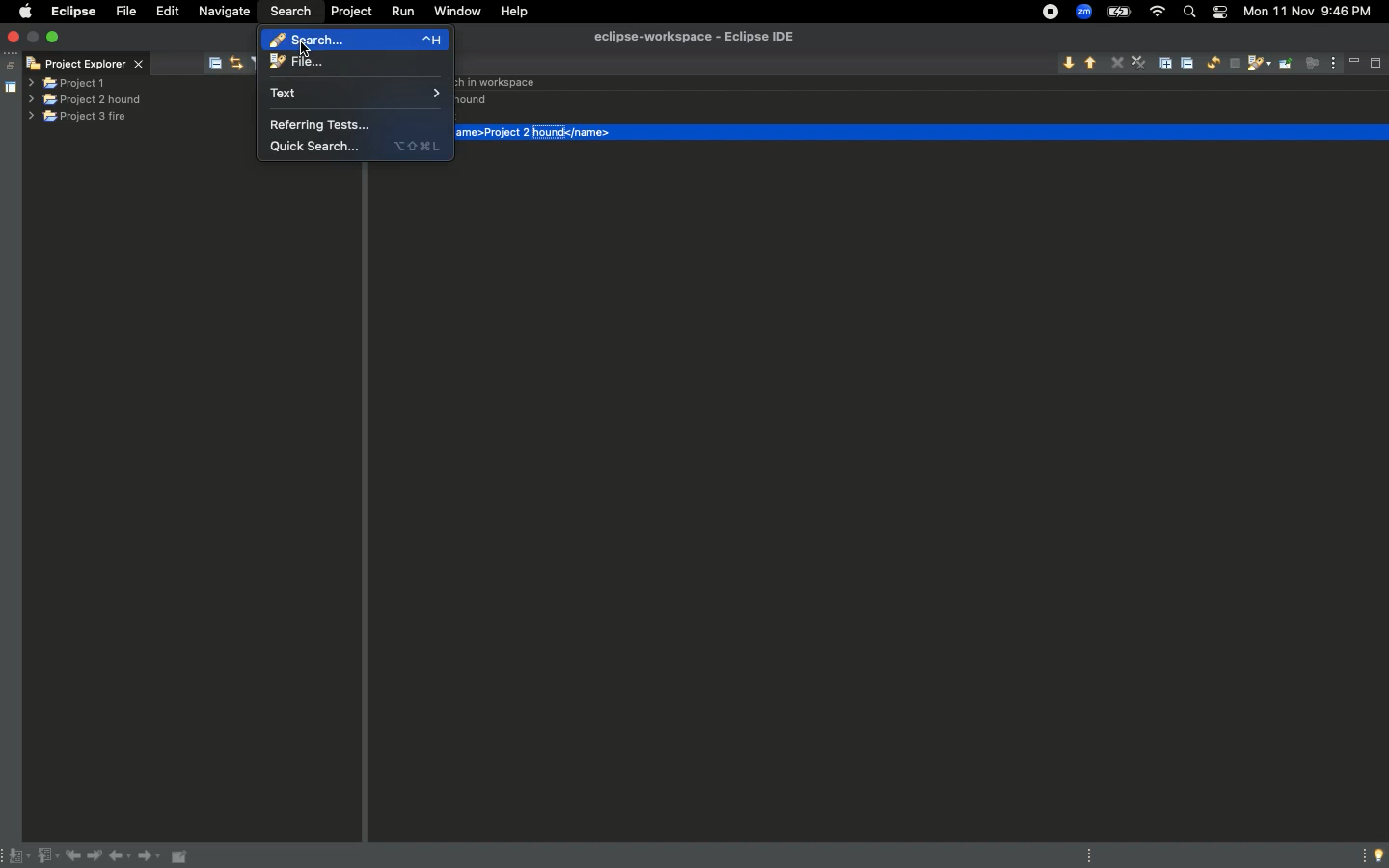 The width and height of the screenshot is (1389, 868). Describe the element at coordinates (1218, 14) in the screenshot. I see `Notification` at that location.